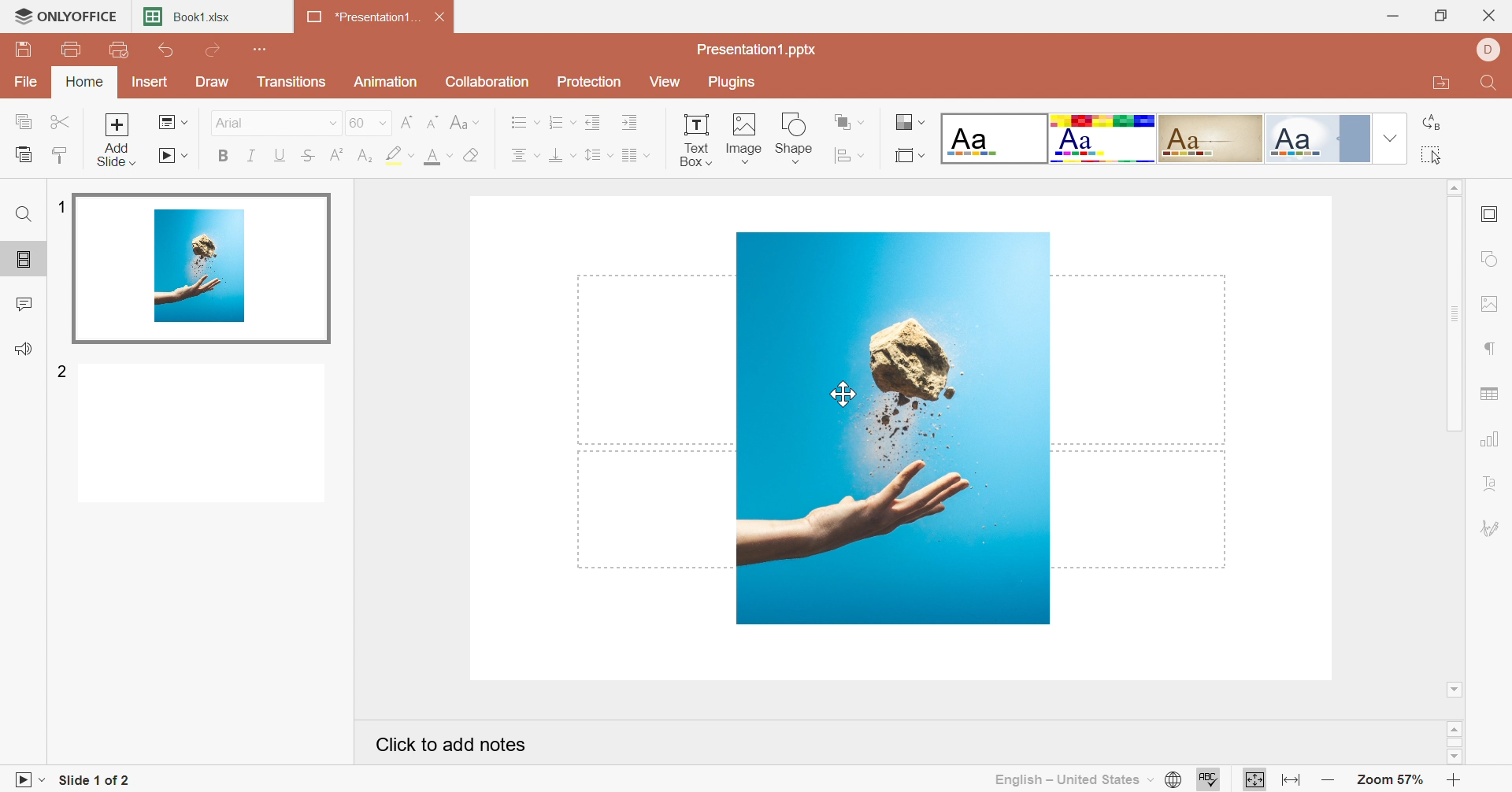 This screenshot has width=1512, height=792. What do you see at coordinates (365, 17) in the screenshot?
I see `*Presentation1...` at bounding box center [365, 17].